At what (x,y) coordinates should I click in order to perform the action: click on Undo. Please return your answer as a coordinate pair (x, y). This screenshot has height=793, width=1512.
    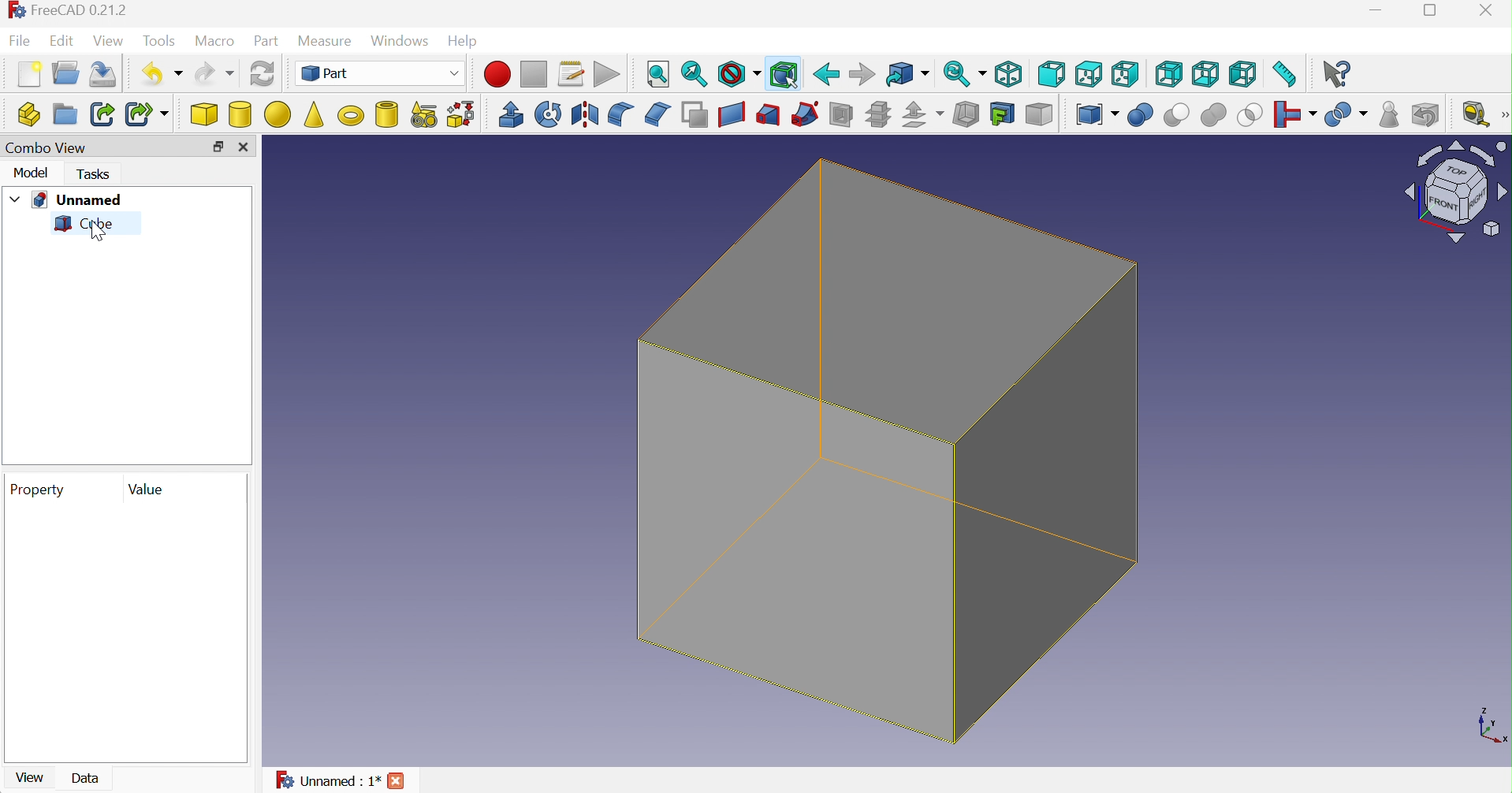
    Looking at the image, I should click on (158, 73).